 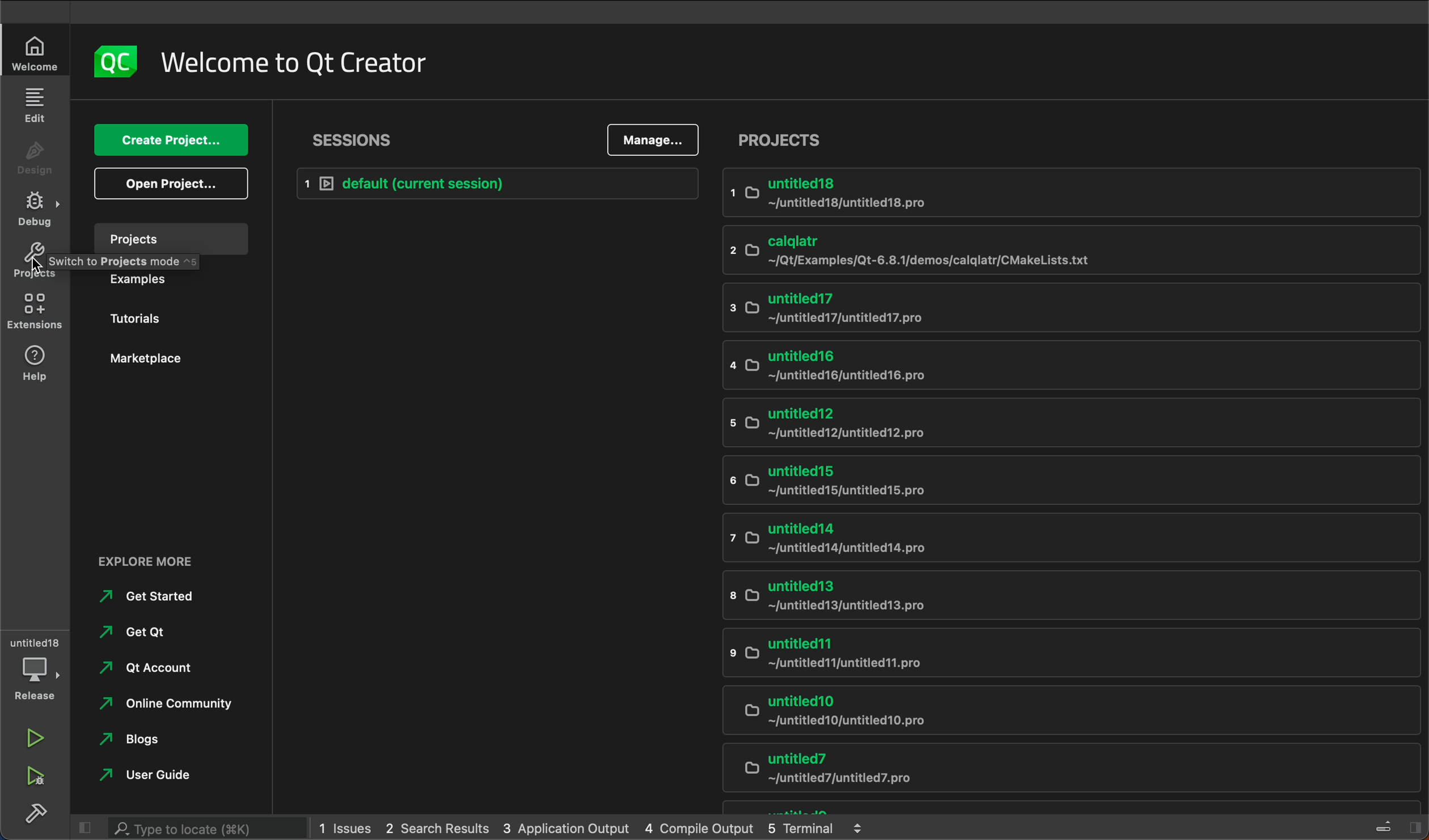 What do you see at coordinates (179, 562) in the screenshot?
I see `external links` at bounding box center [179, 562].